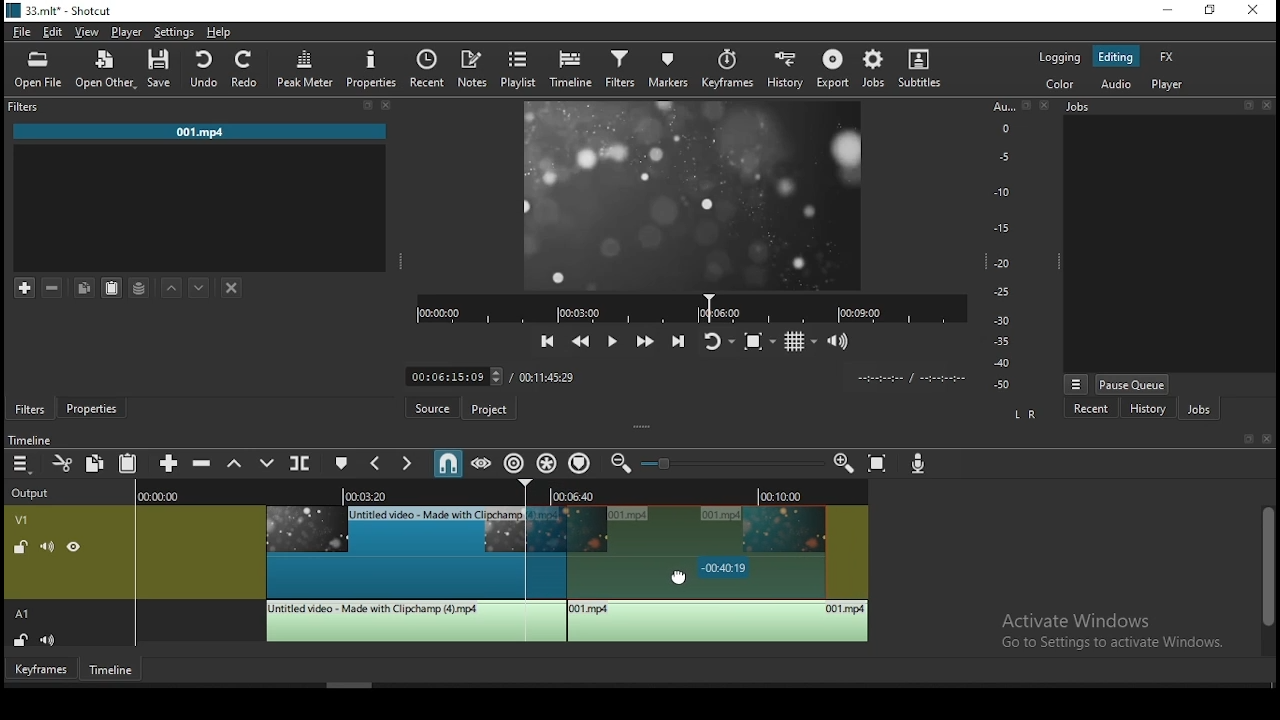  Describe the element at coordinates (127, 462) in the screenshot. I see `paste` at that location.